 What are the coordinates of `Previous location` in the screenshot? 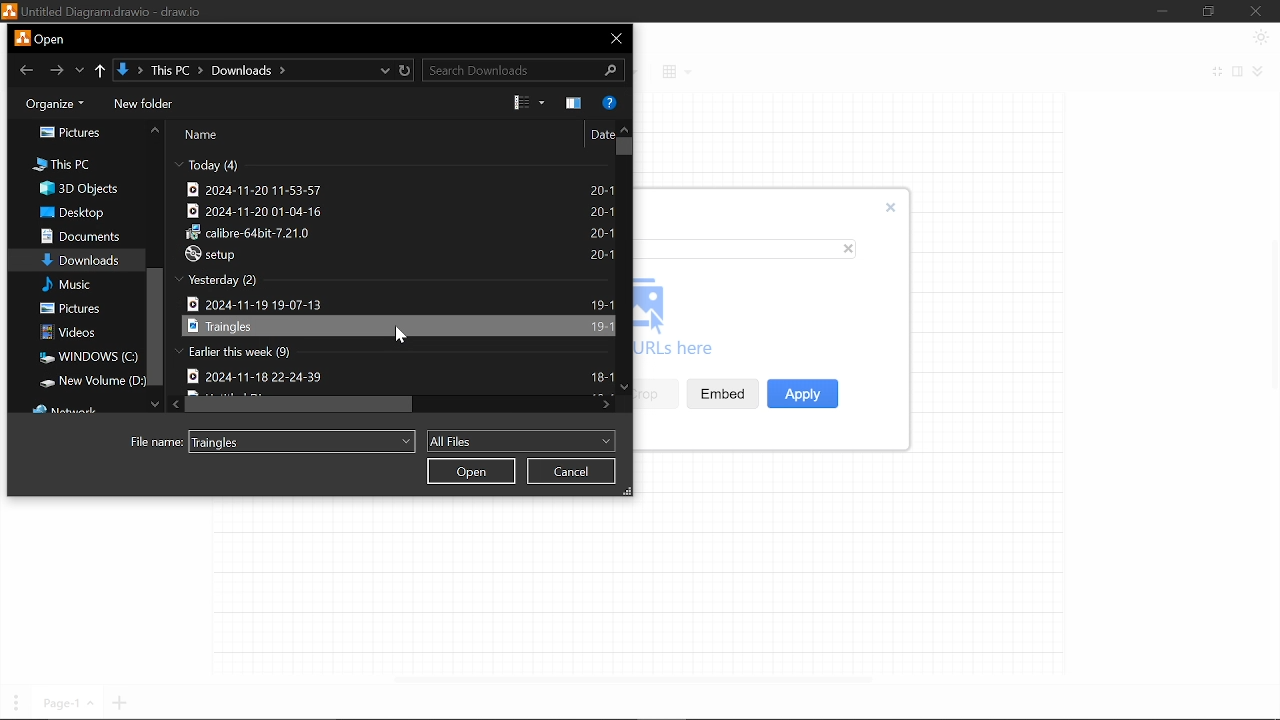 It's located at (78, 70).